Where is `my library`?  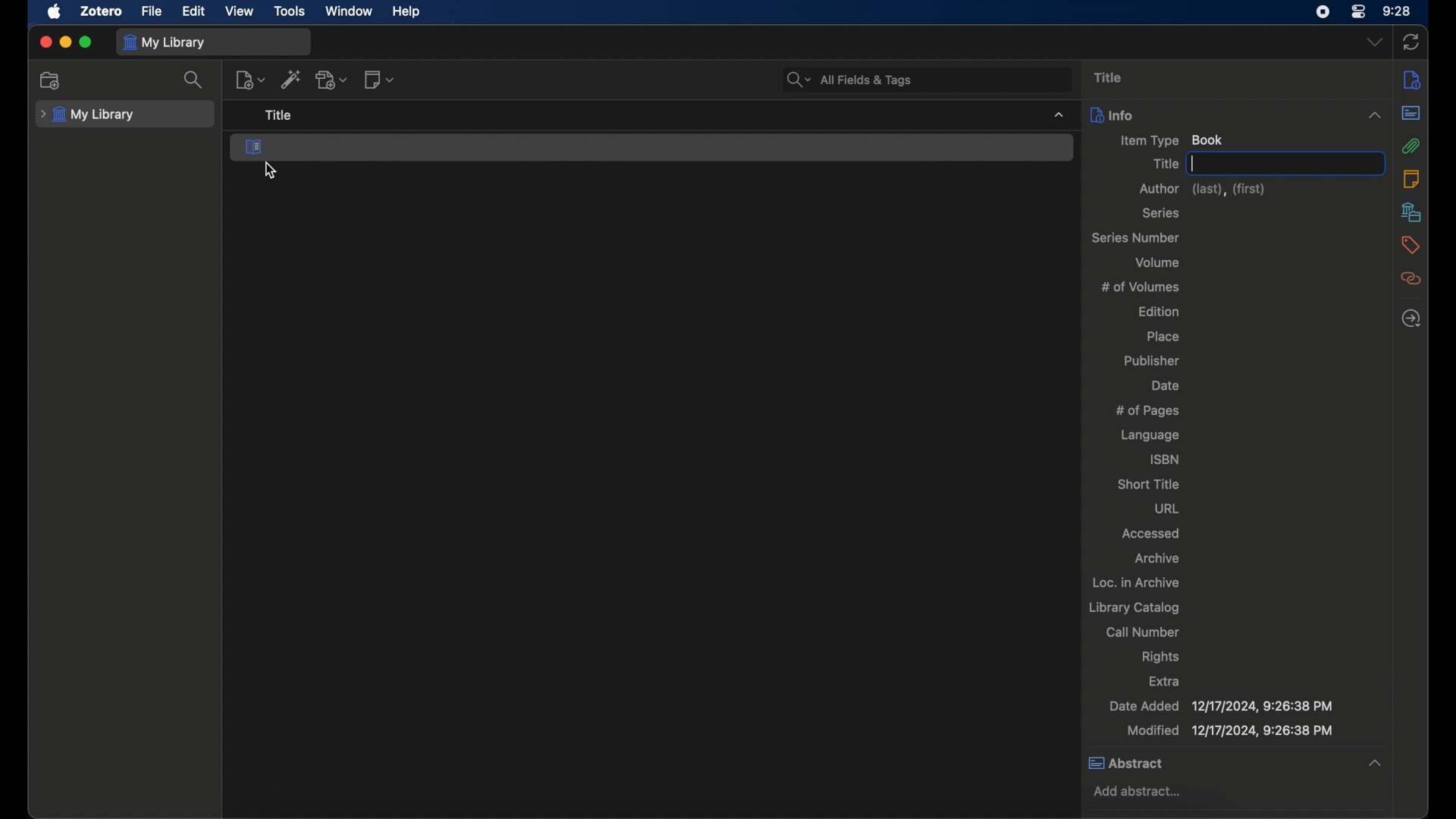
my library is located at coordinates (164, 42).